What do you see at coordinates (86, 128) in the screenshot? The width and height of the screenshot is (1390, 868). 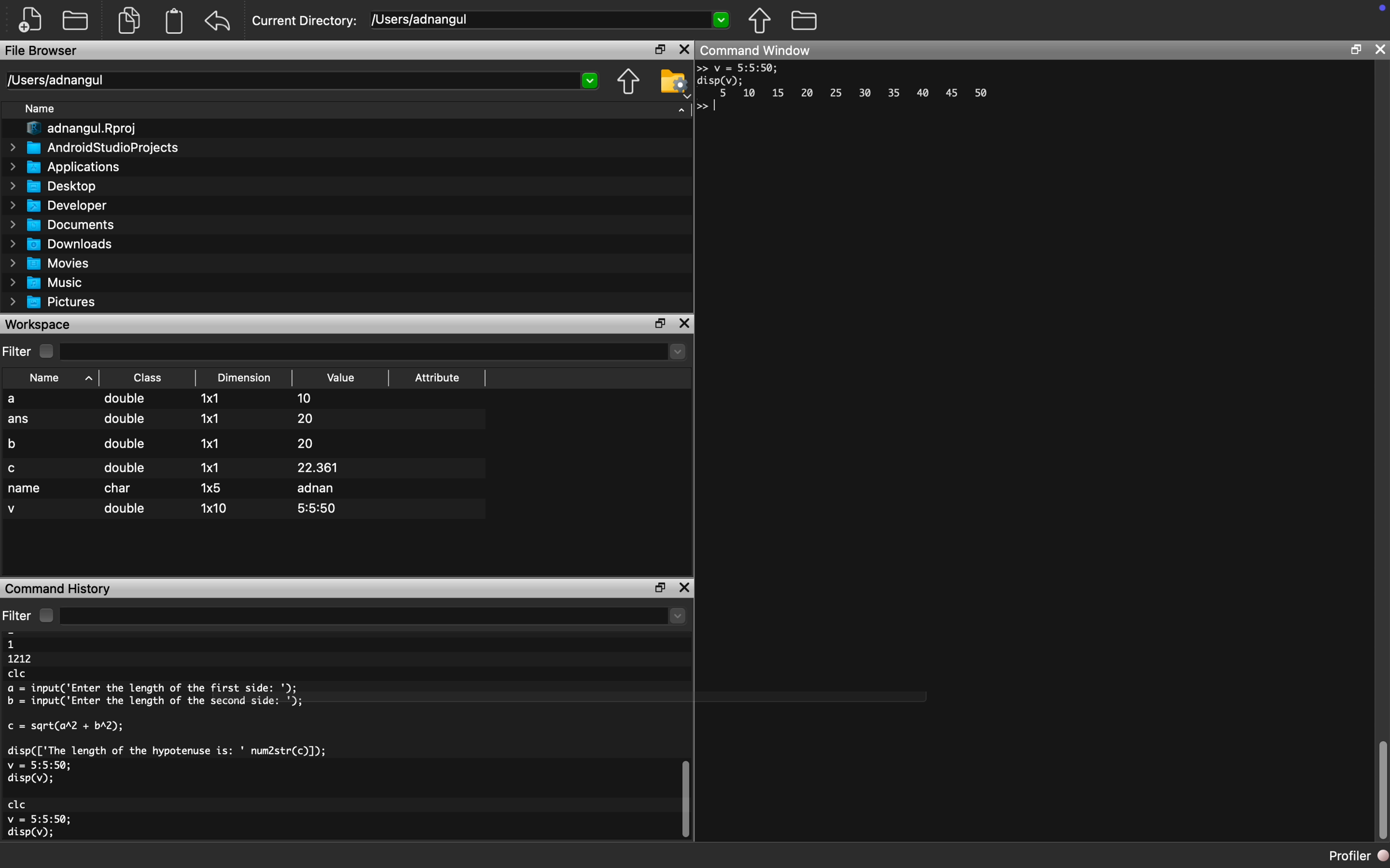 I see `adnangul.Rproj` at bounding box center [86, 128].